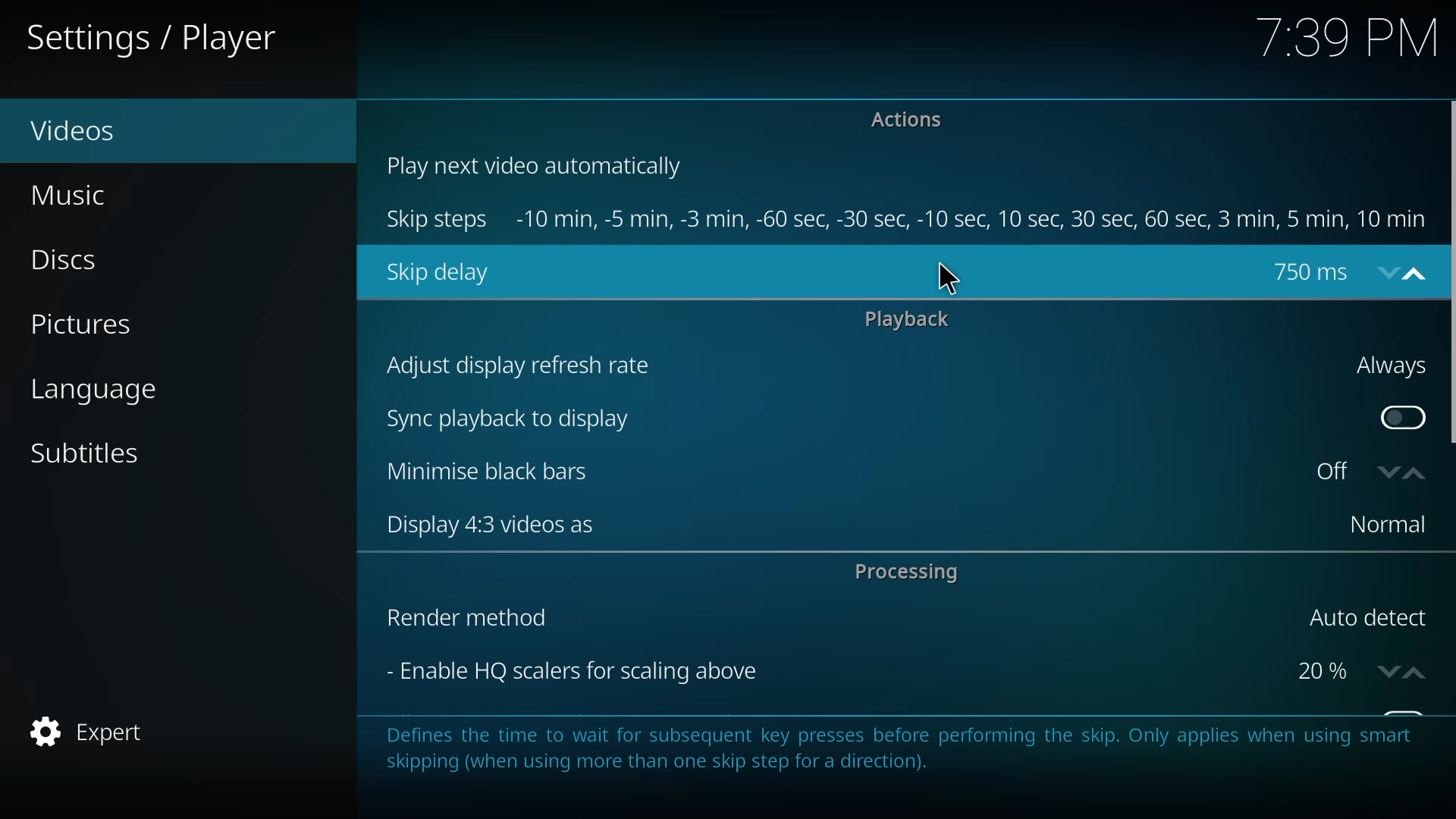  I want to click on scroll bar, so click(1454, 275).